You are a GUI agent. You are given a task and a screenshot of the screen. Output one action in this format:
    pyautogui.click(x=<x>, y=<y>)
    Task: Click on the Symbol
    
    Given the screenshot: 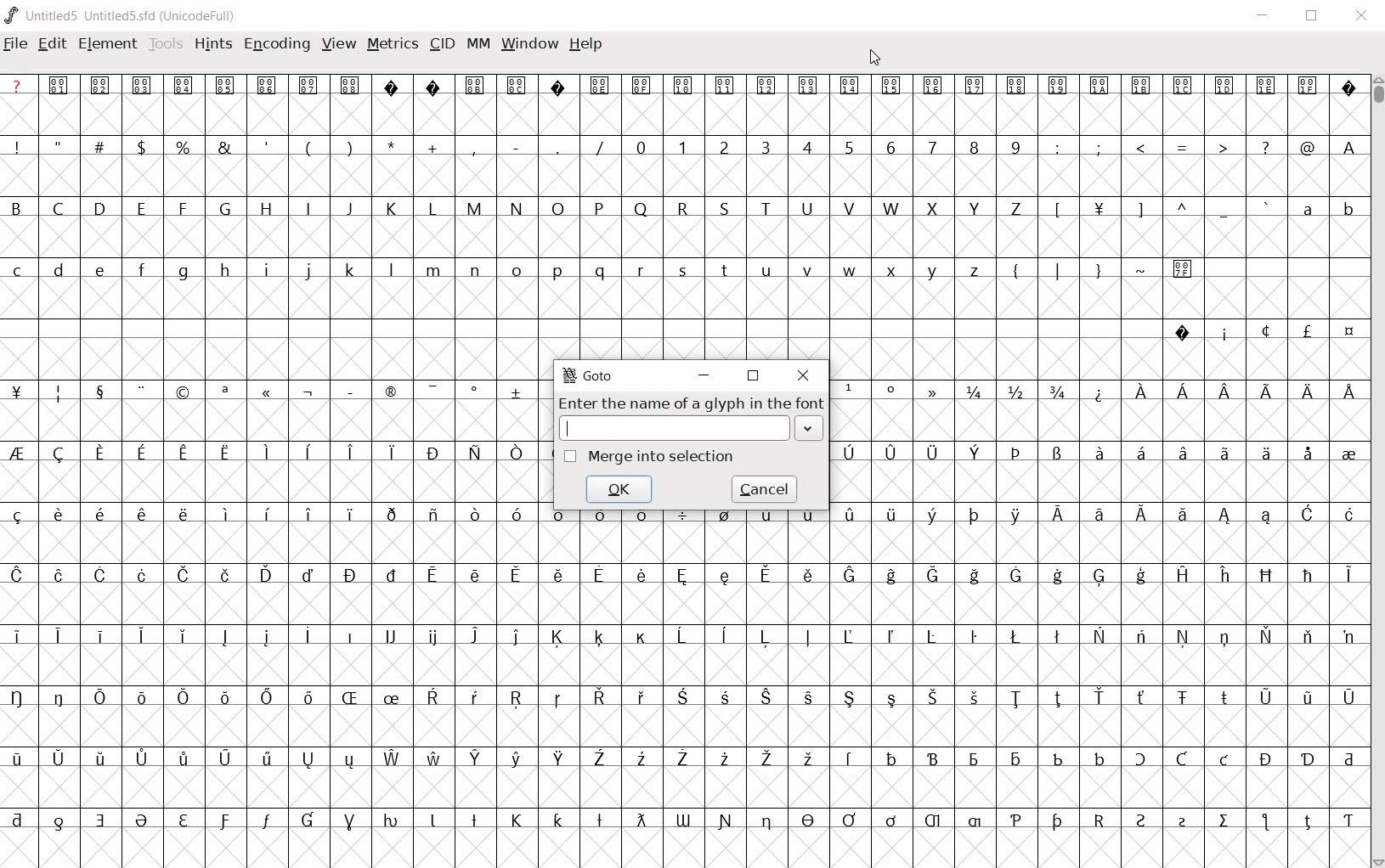 What is the action you would take?
    pyautogui.click(x=1348, y=819)
    